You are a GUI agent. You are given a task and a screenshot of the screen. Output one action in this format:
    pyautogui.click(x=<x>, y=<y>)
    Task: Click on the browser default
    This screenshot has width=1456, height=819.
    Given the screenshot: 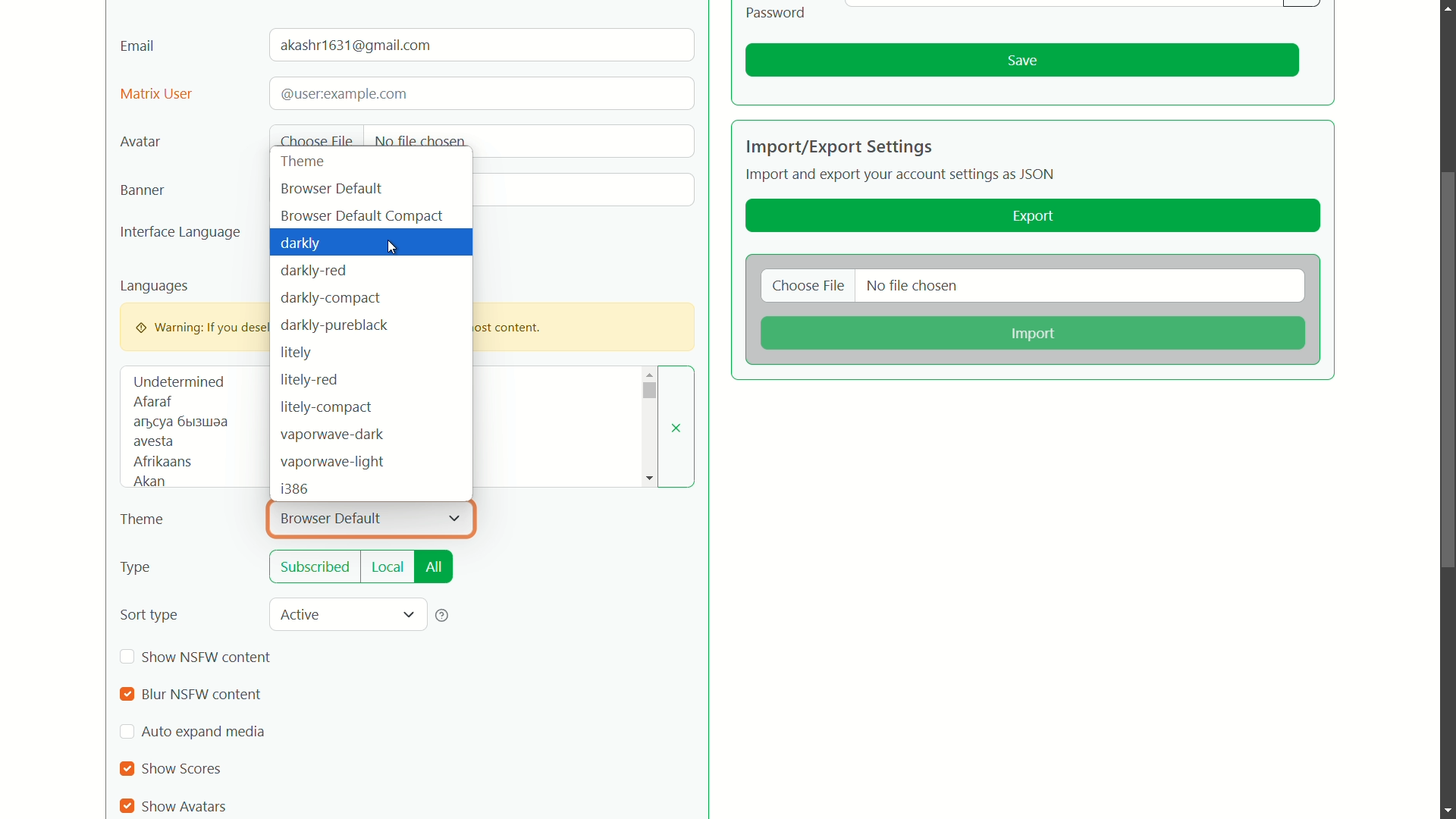 What is the action you would take?
    pyautogui.click(x=333, y=518)
    